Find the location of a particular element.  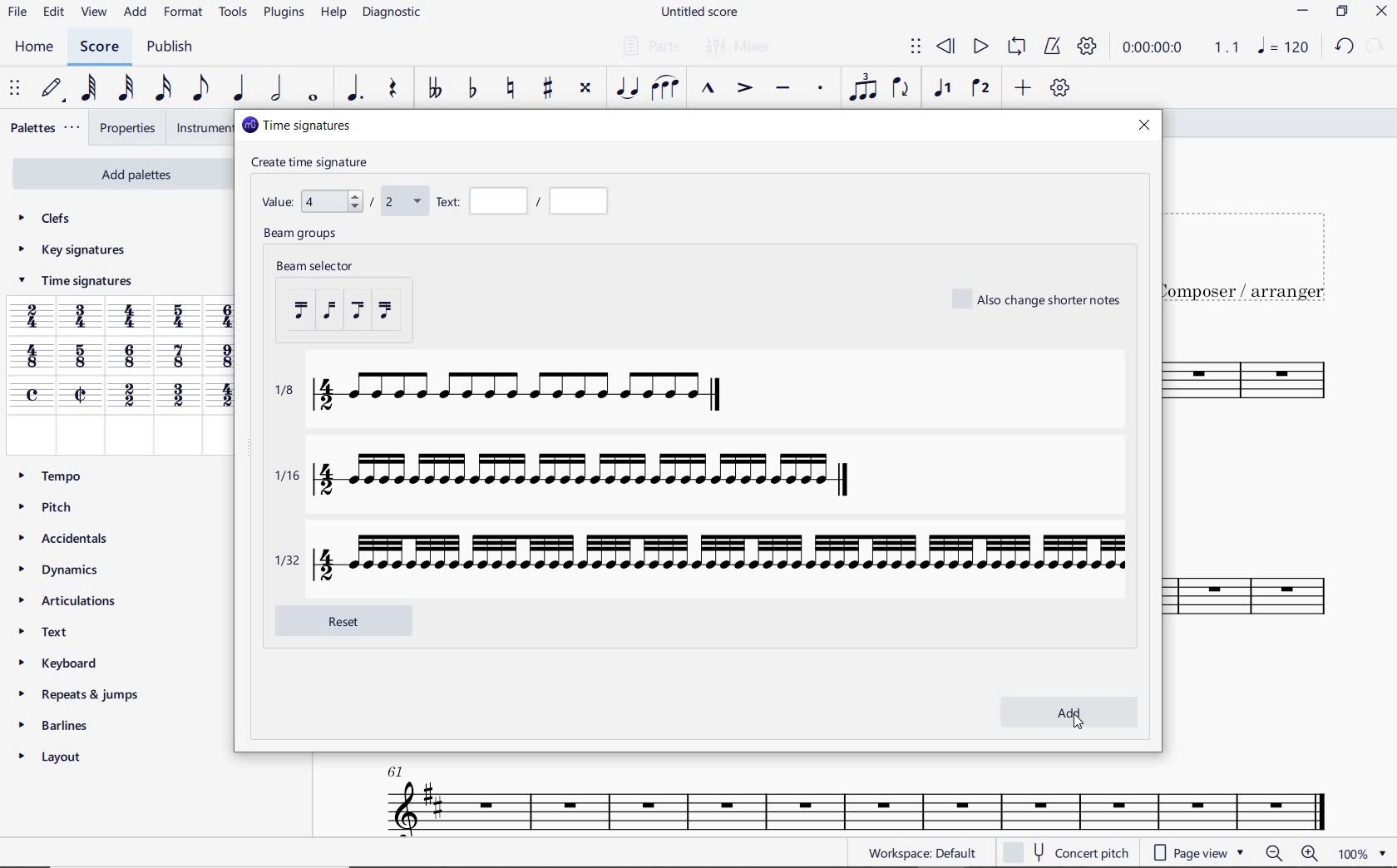

6/8 is located at coordinates (131, 357).